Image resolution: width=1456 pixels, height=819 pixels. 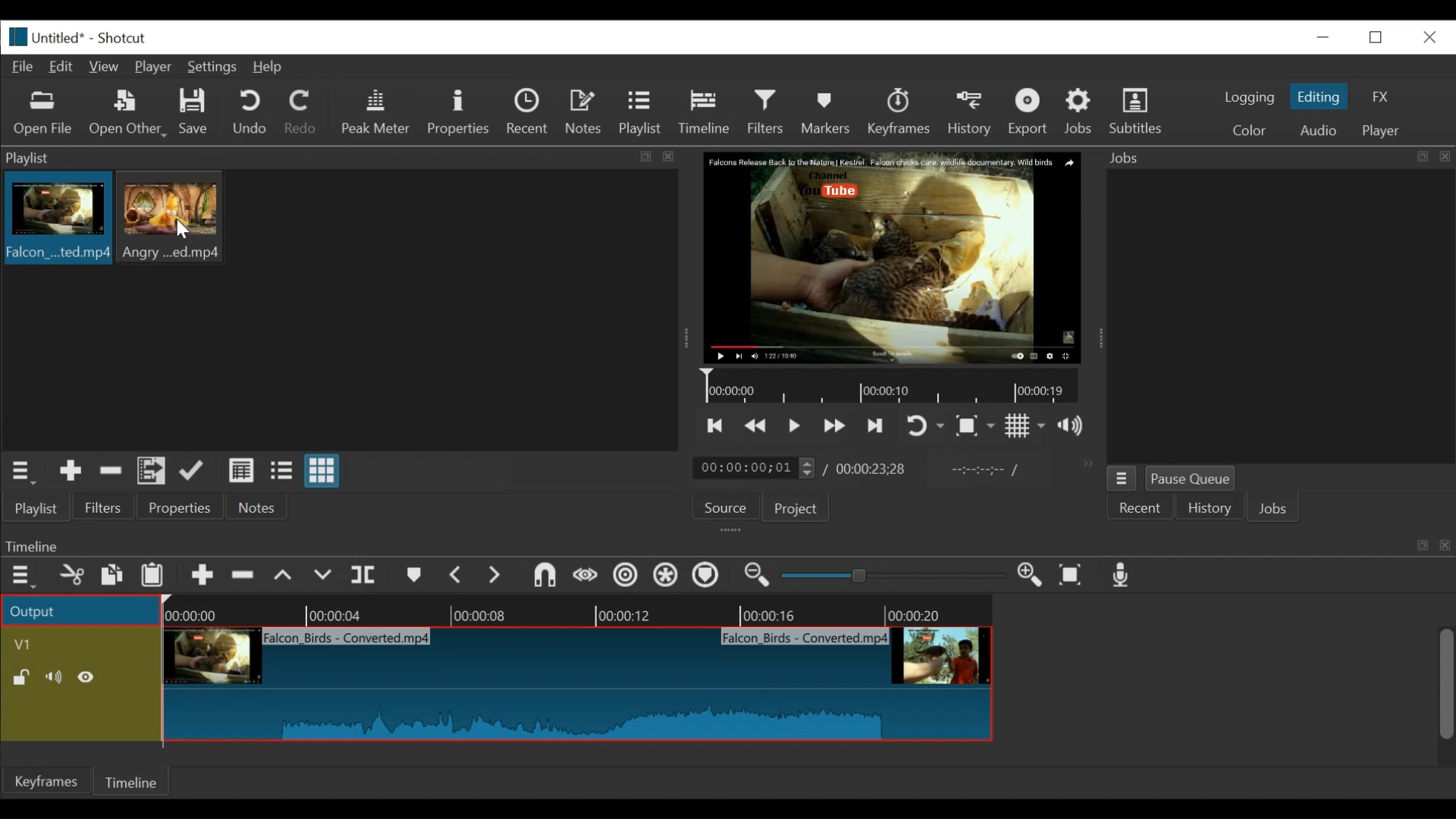 I want to click on JOBS, so click(x=1275, y=510).